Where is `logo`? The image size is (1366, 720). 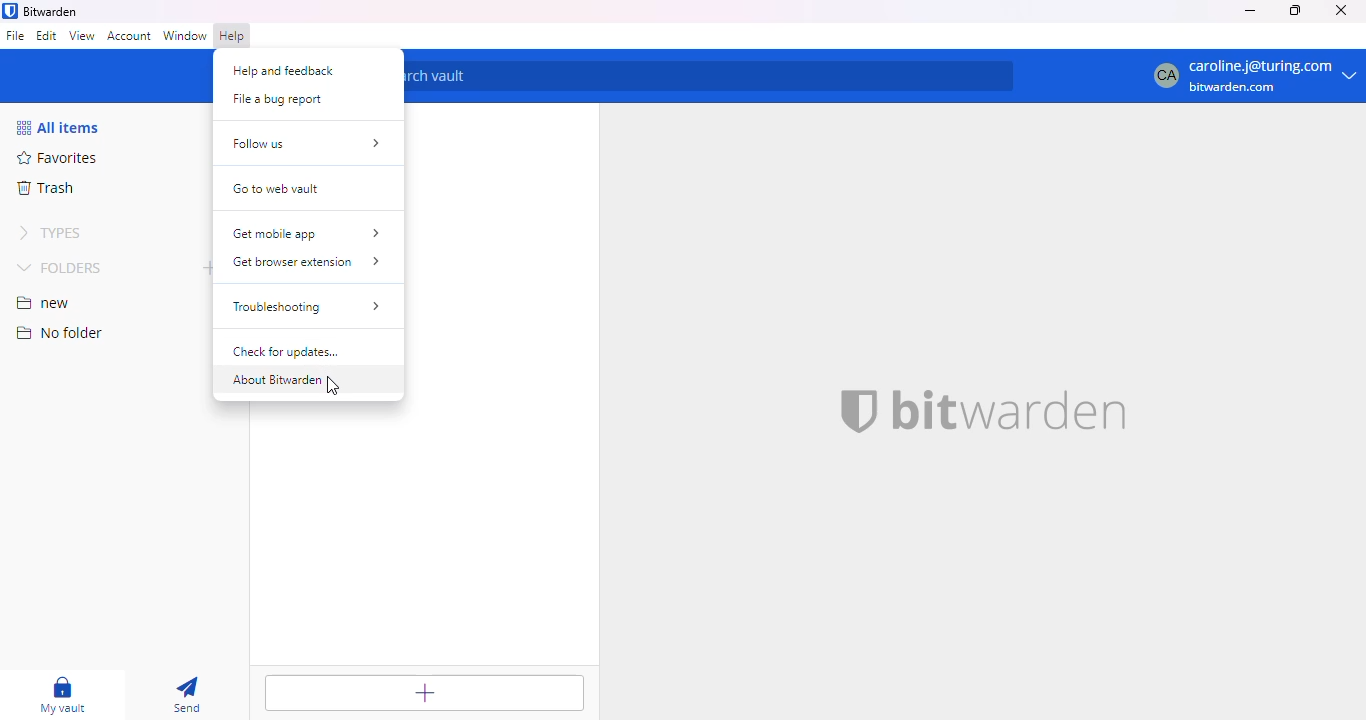
logo is located at coordinates (855, 411).